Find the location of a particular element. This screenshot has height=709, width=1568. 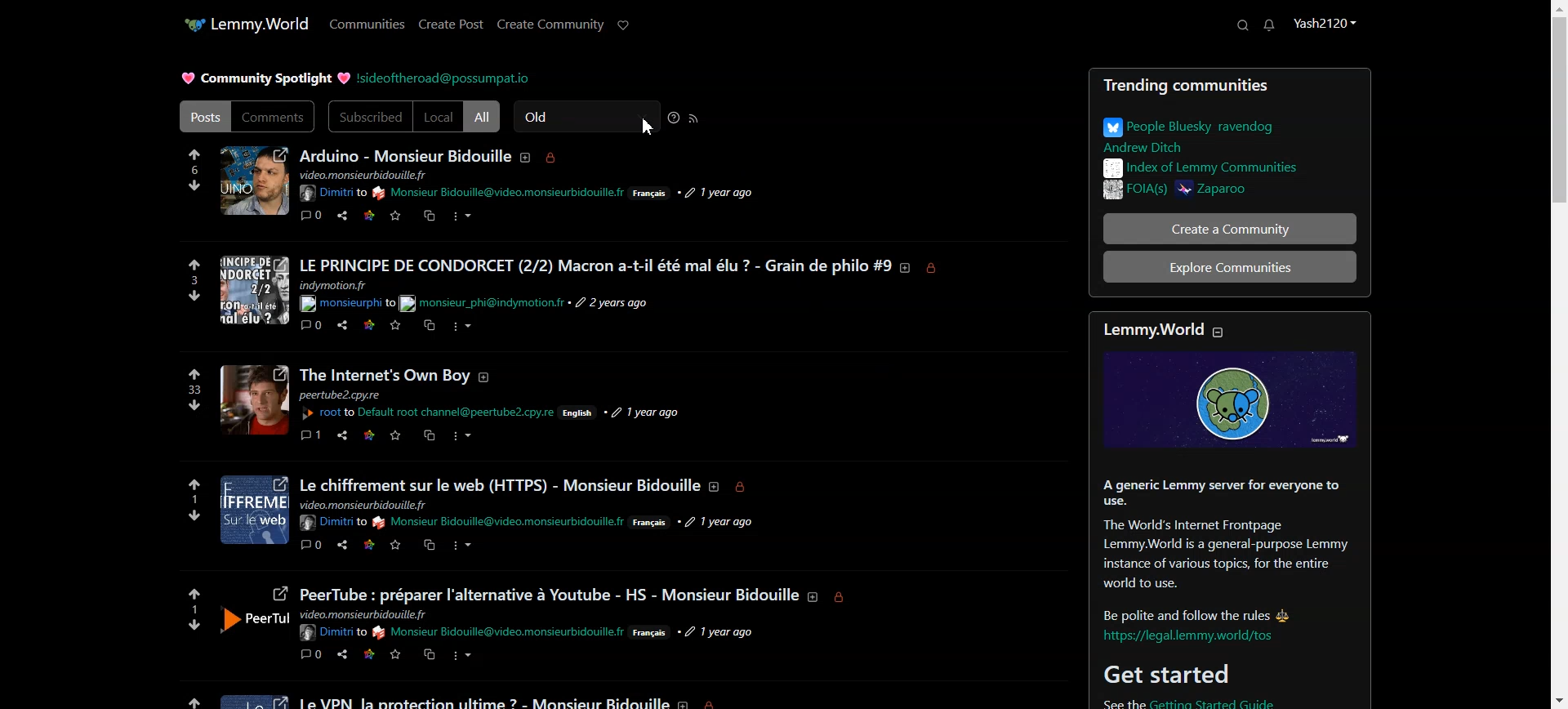

Link is located at coordinates (369, 215).